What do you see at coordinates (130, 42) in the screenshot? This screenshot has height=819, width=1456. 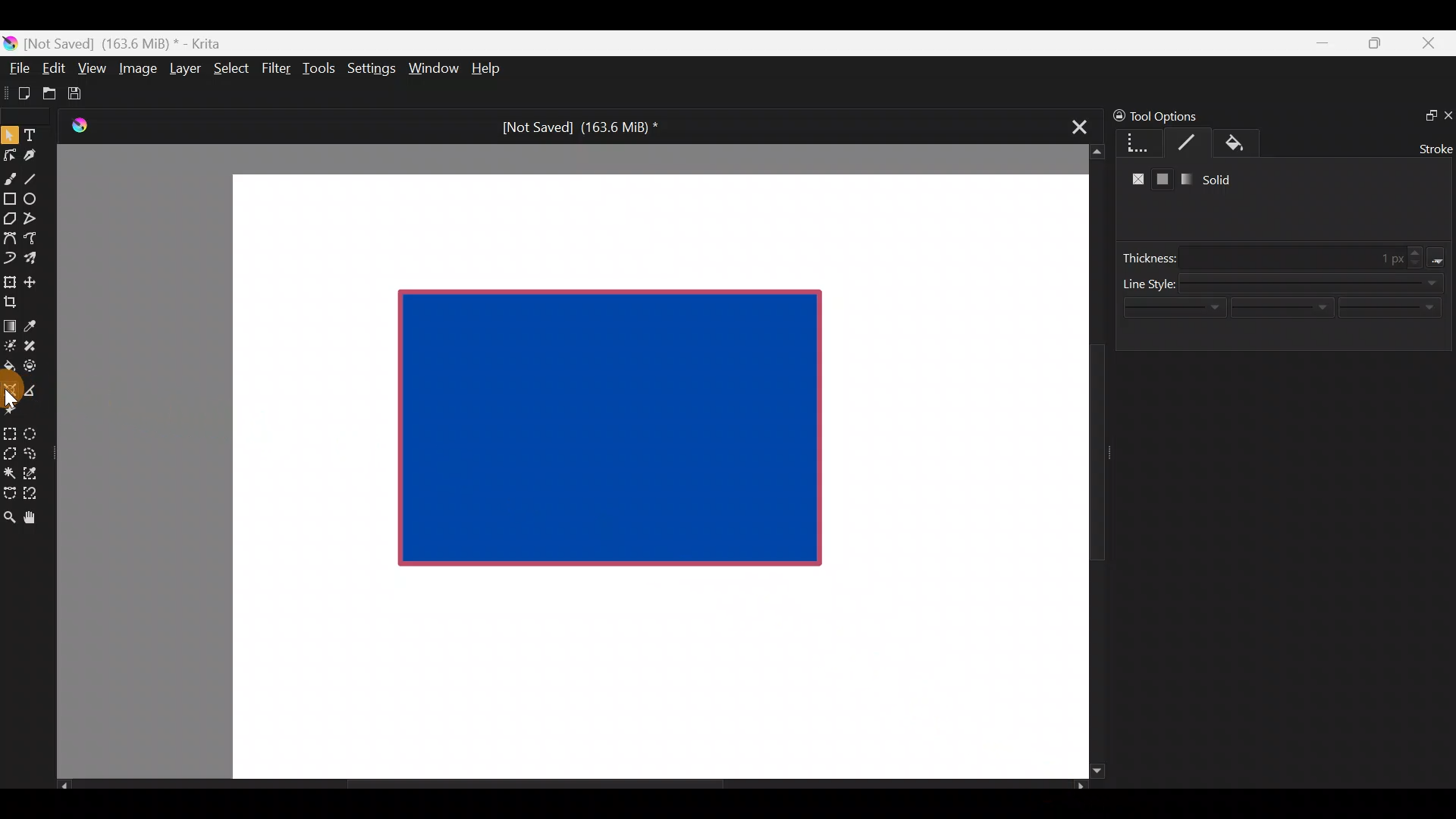 I see `[Not Saved] (163.6 MiB) * - Krita` at bounding box center [130, 42].